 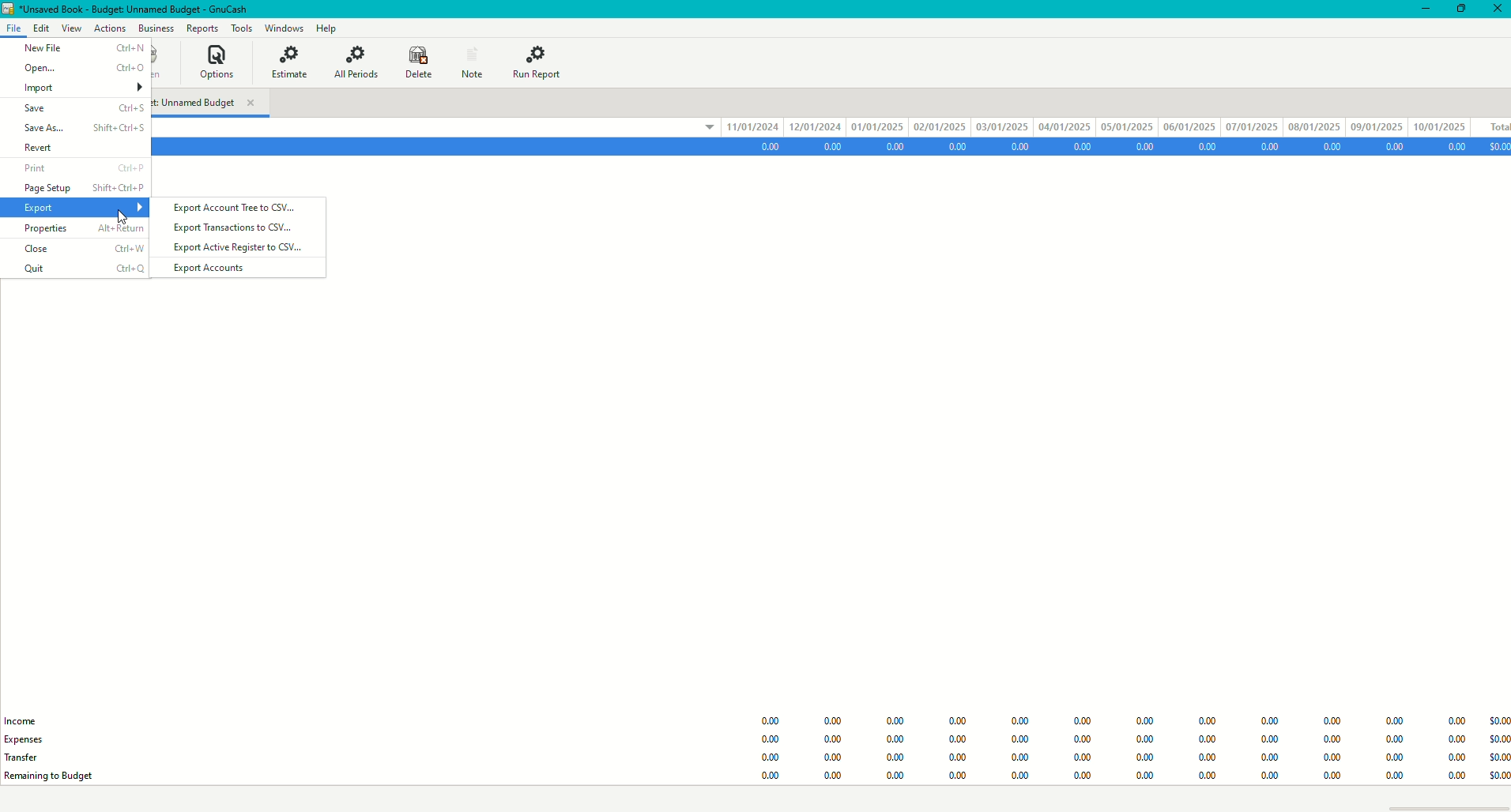 What do you see at coordinates (237, 230) in the screenshot?
I see `Export Transactions to CSV` at bounding box center [237, 230].